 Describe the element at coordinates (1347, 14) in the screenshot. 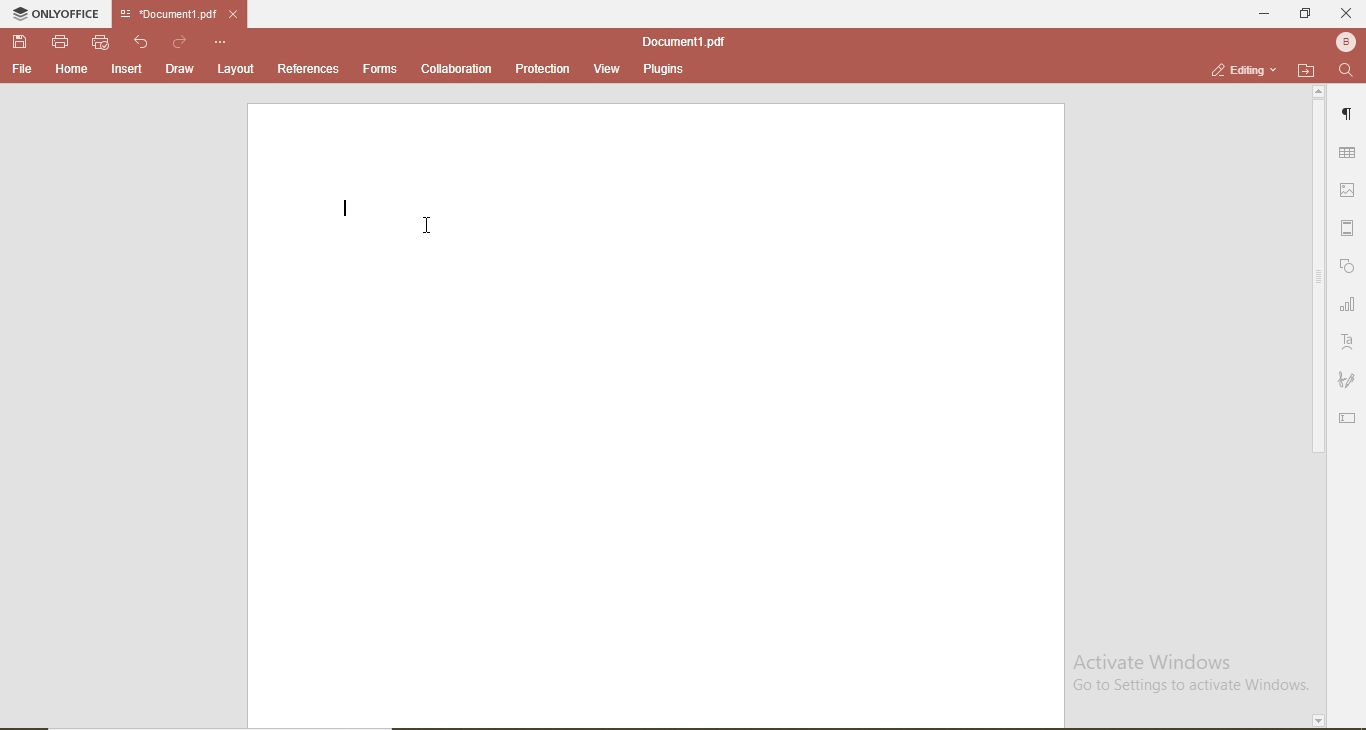

I see `close` at that location.